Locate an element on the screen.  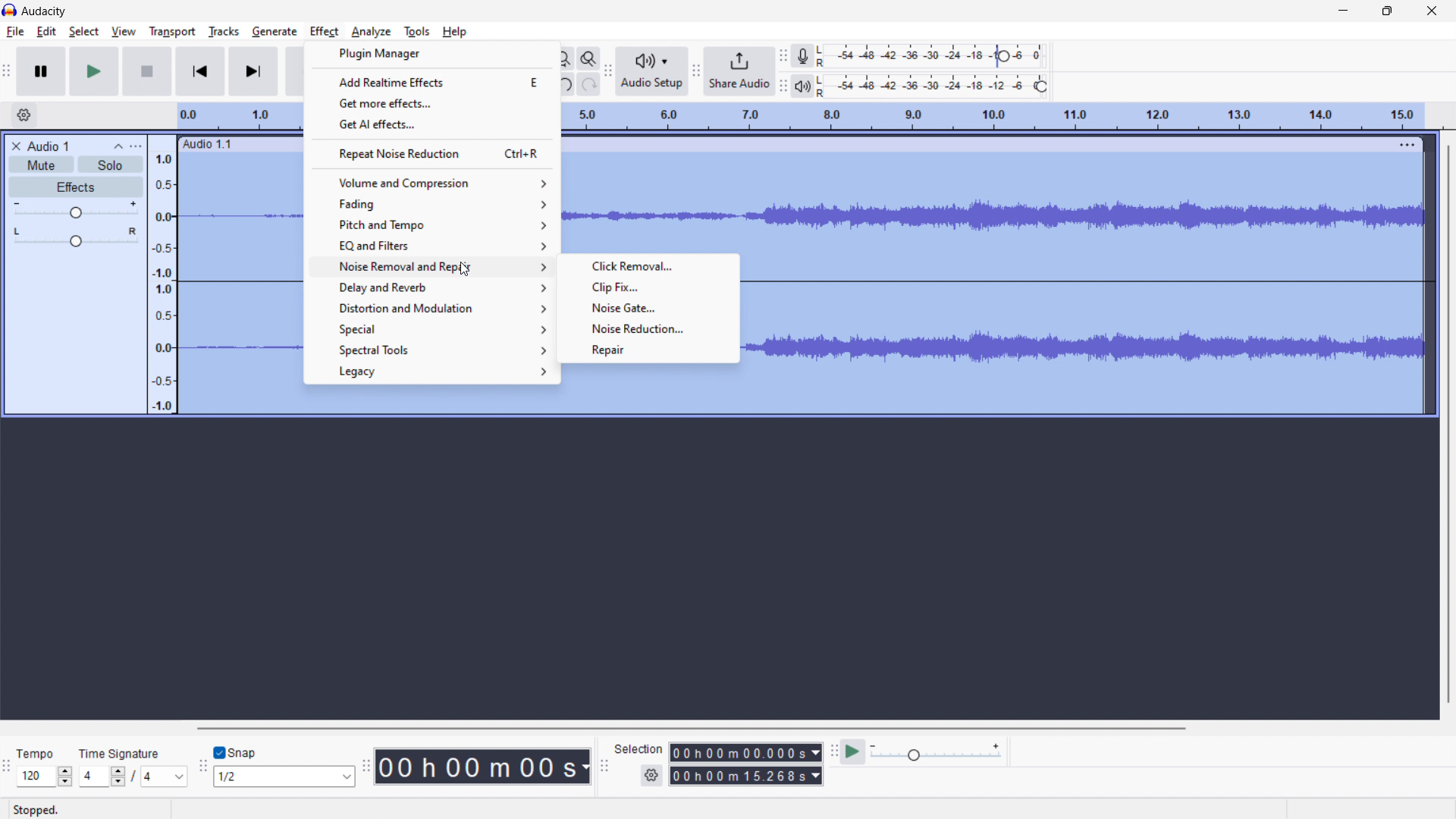
close is located at coordinates (1432, 11).